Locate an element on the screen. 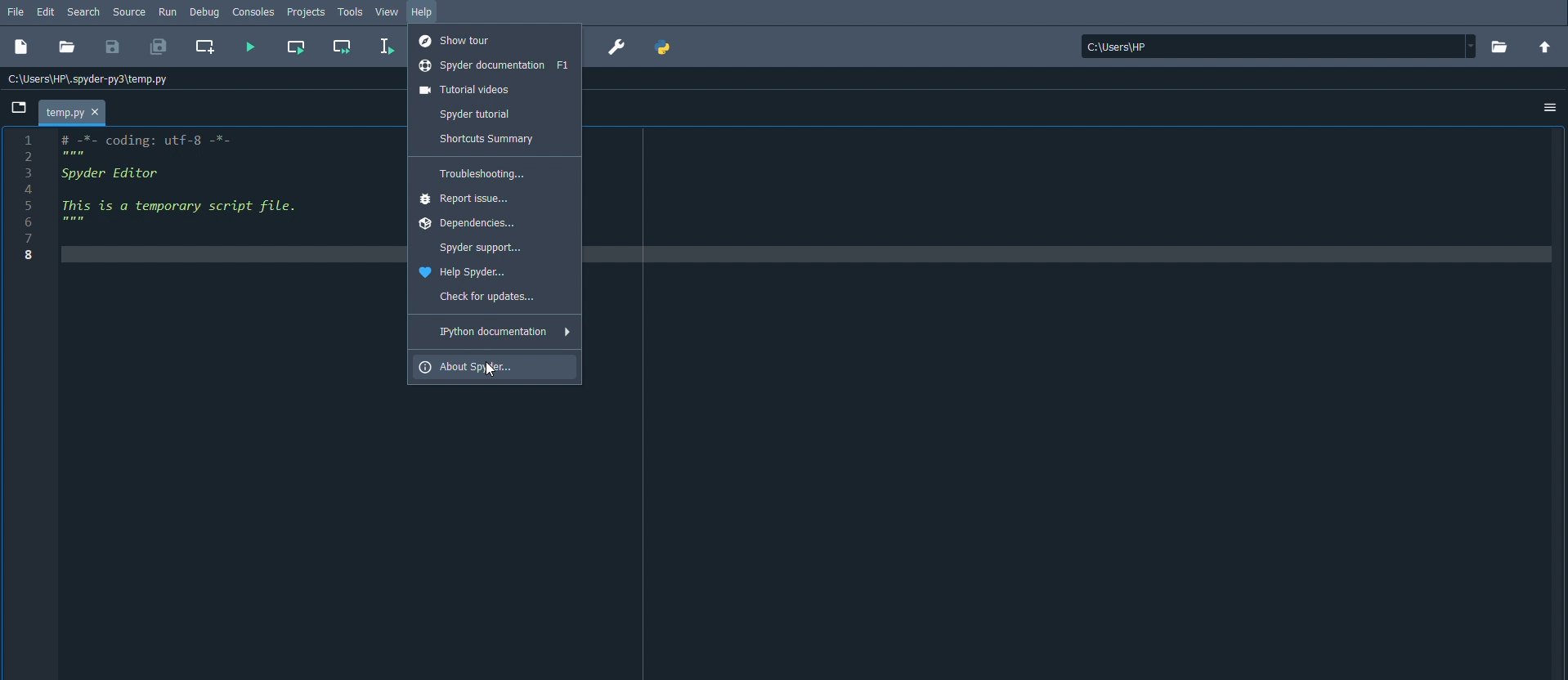 This screenshot has height=680, width=1568. Show tour is located at coordinates (459, 40).